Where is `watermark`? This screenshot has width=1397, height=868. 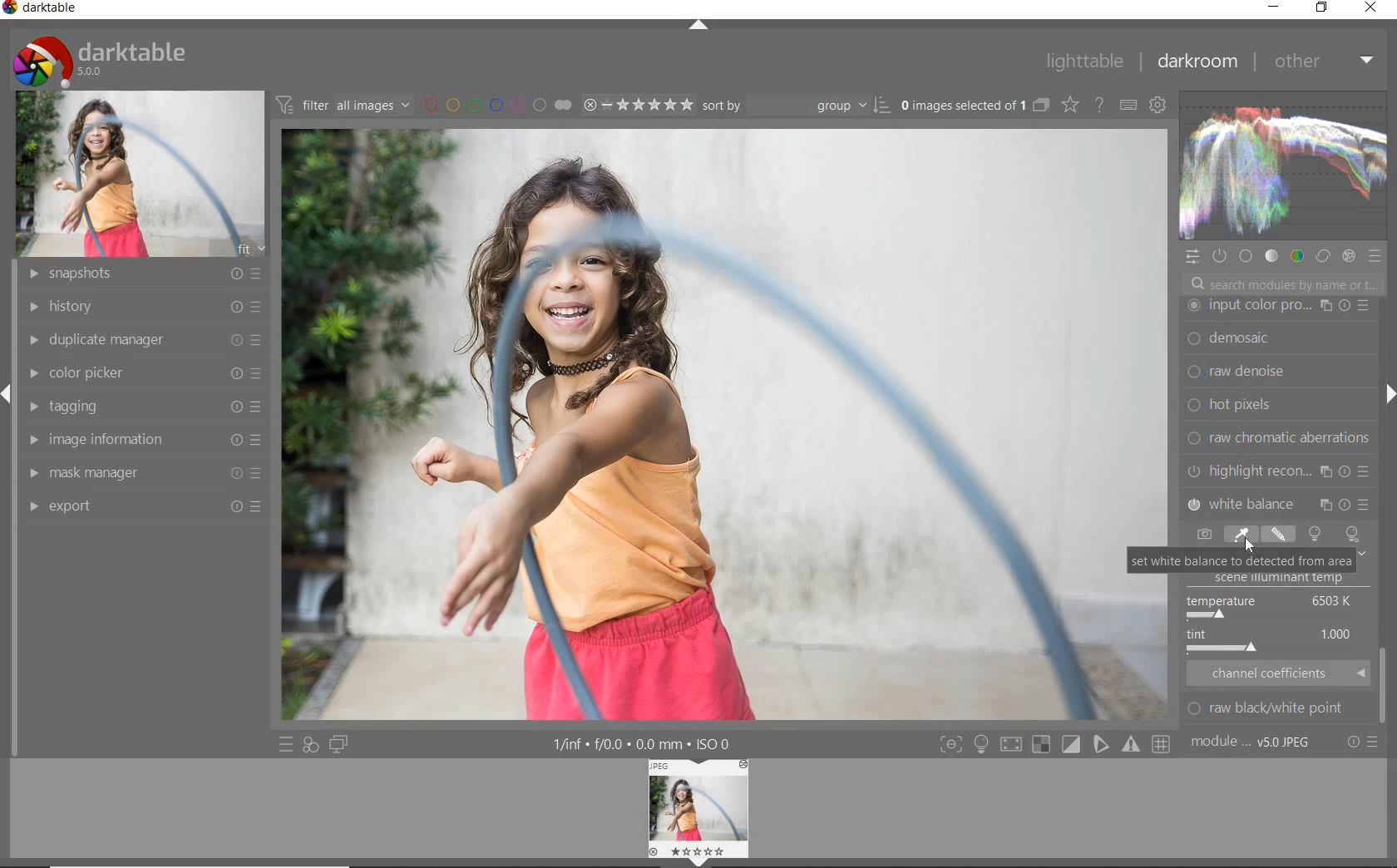
watermark is located at coordinates (1277, 306).